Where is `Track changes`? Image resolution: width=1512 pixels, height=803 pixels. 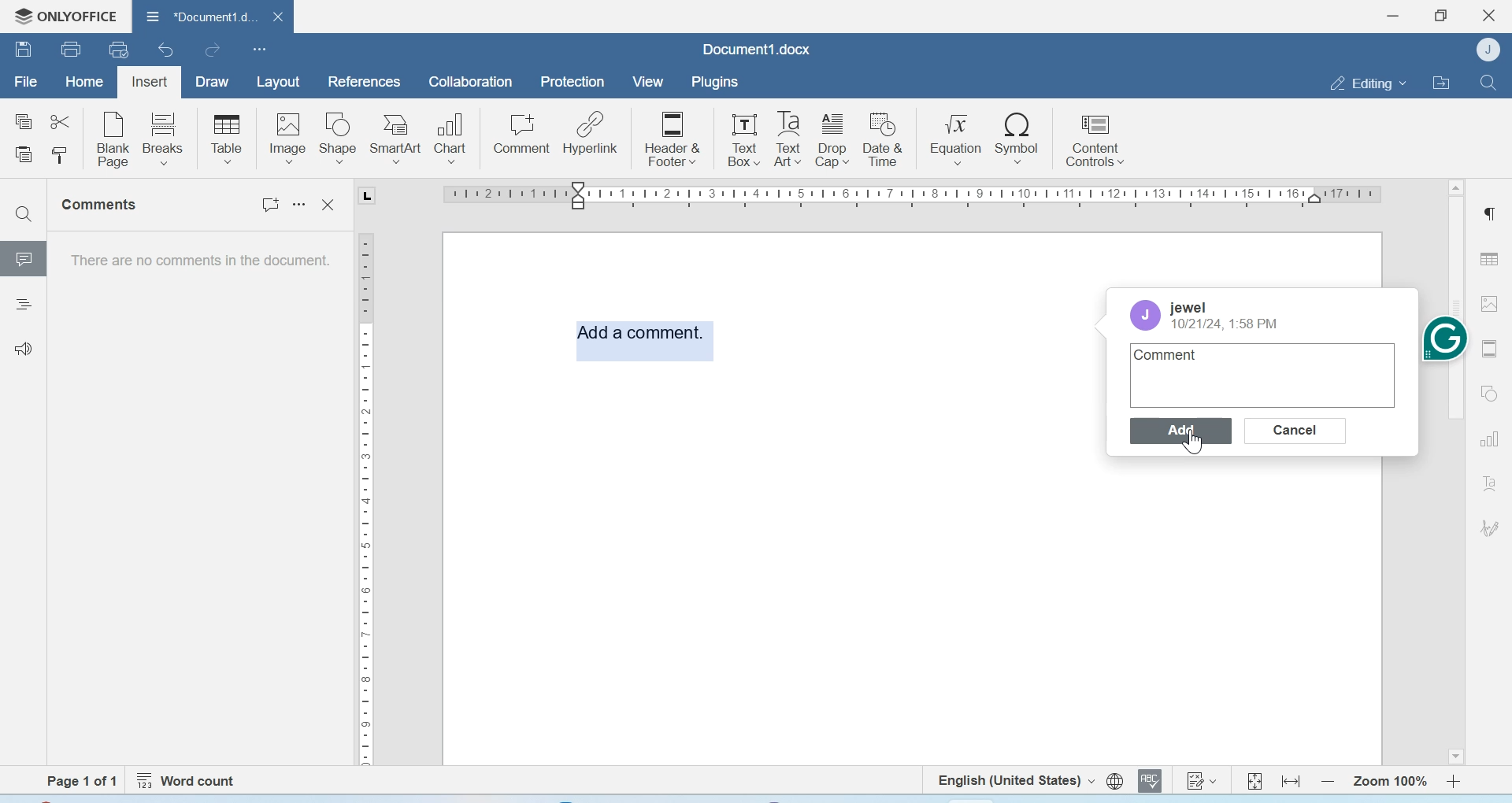 Track changes is located at coordinates (1200, 780).